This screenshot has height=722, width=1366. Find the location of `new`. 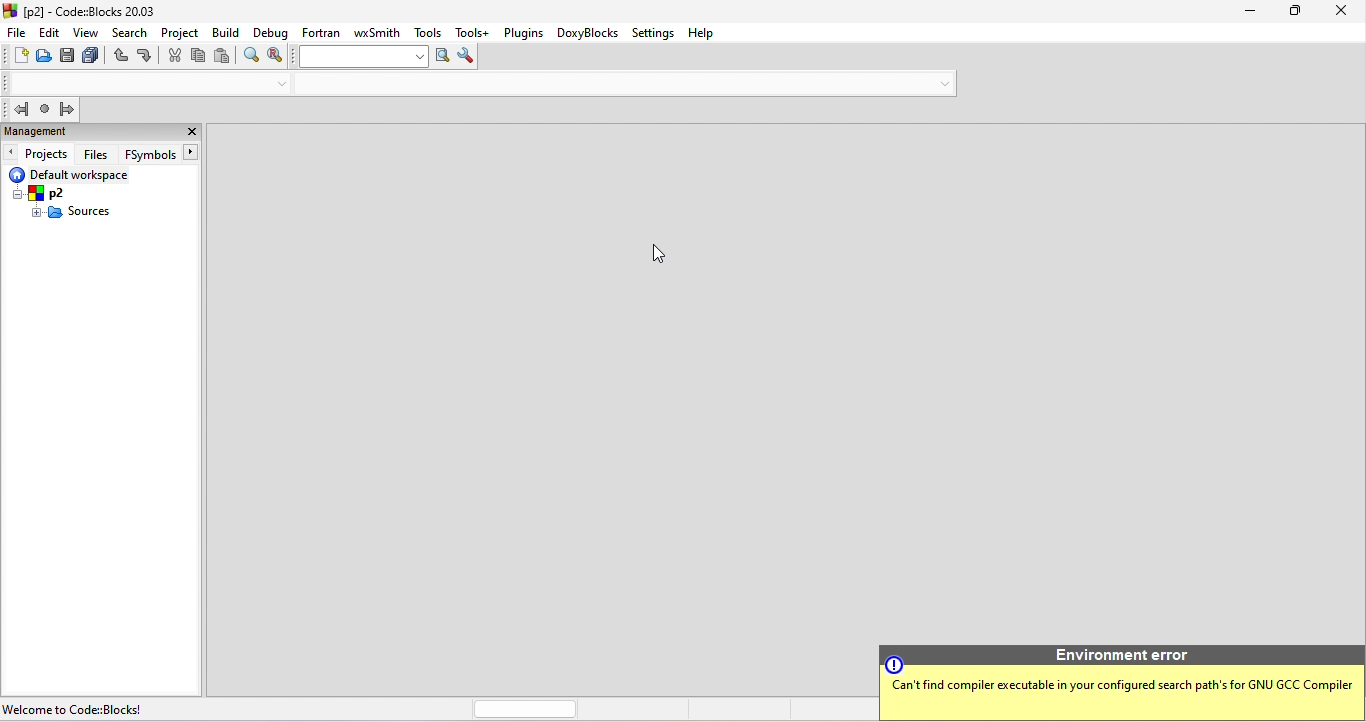

new is located at coordinates (16, 55).